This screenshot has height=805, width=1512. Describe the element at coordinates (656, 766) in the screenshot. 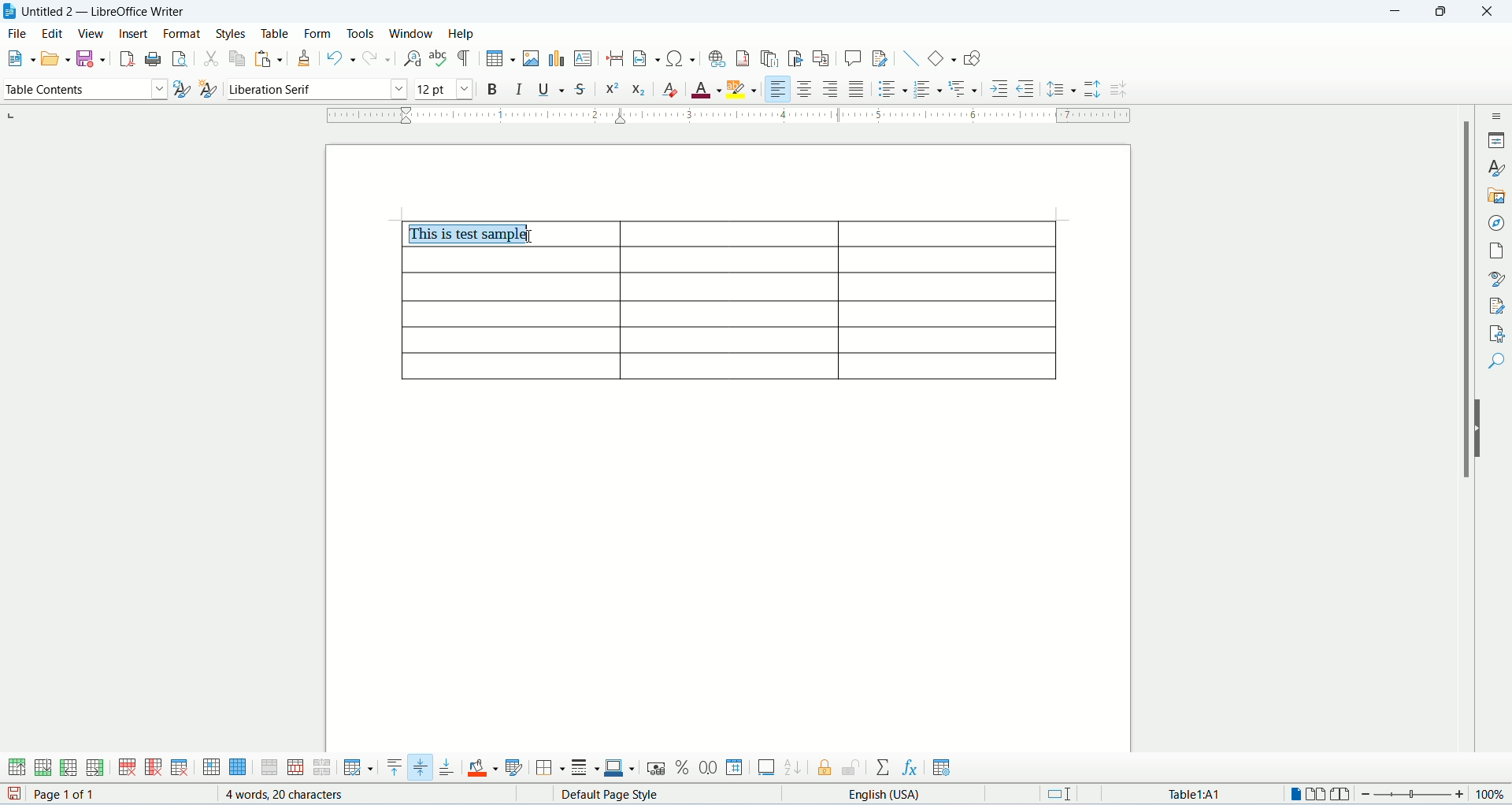

I see `currency format` at that location.